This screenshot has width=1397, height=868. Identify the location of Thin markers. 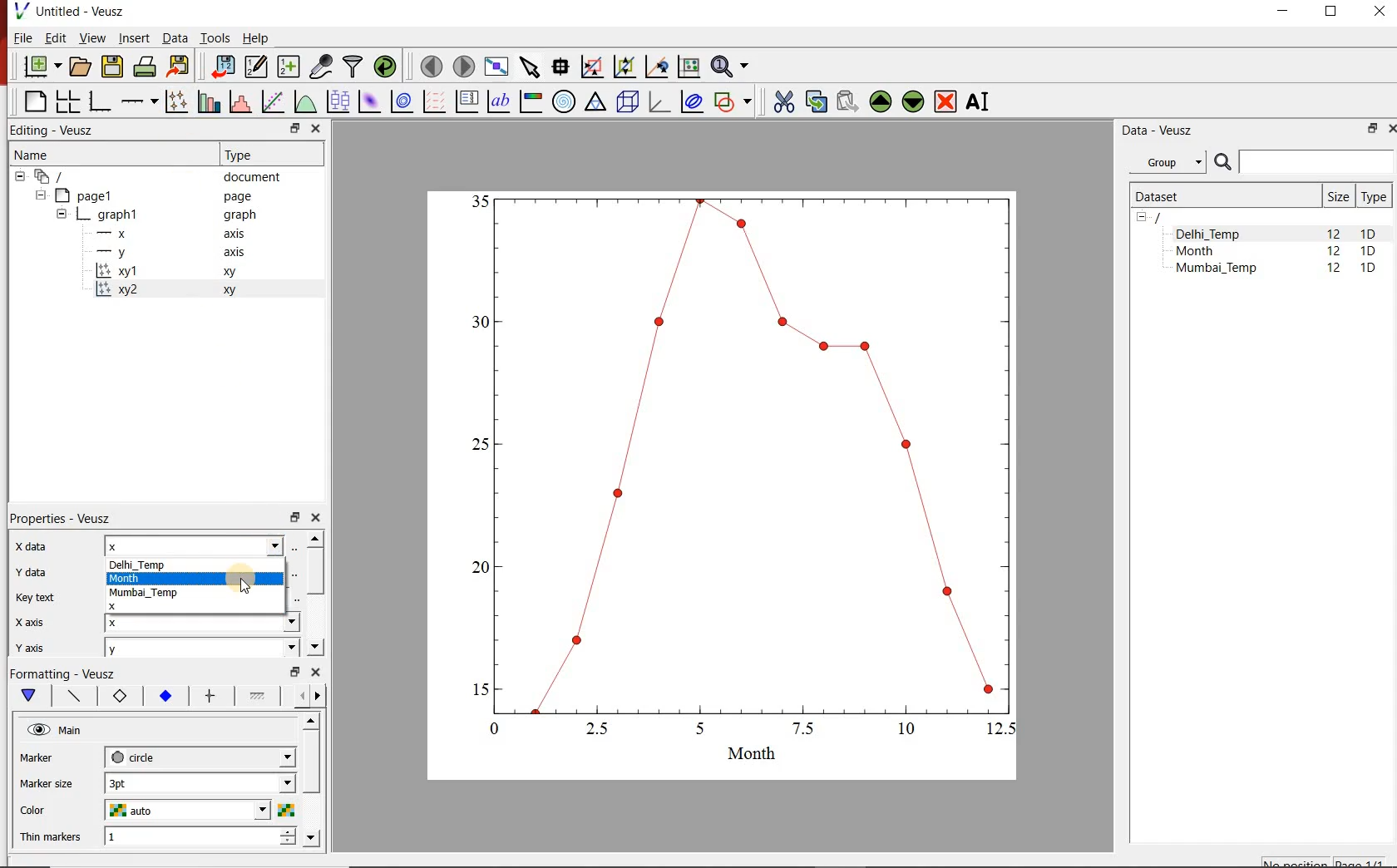
(49, 838).